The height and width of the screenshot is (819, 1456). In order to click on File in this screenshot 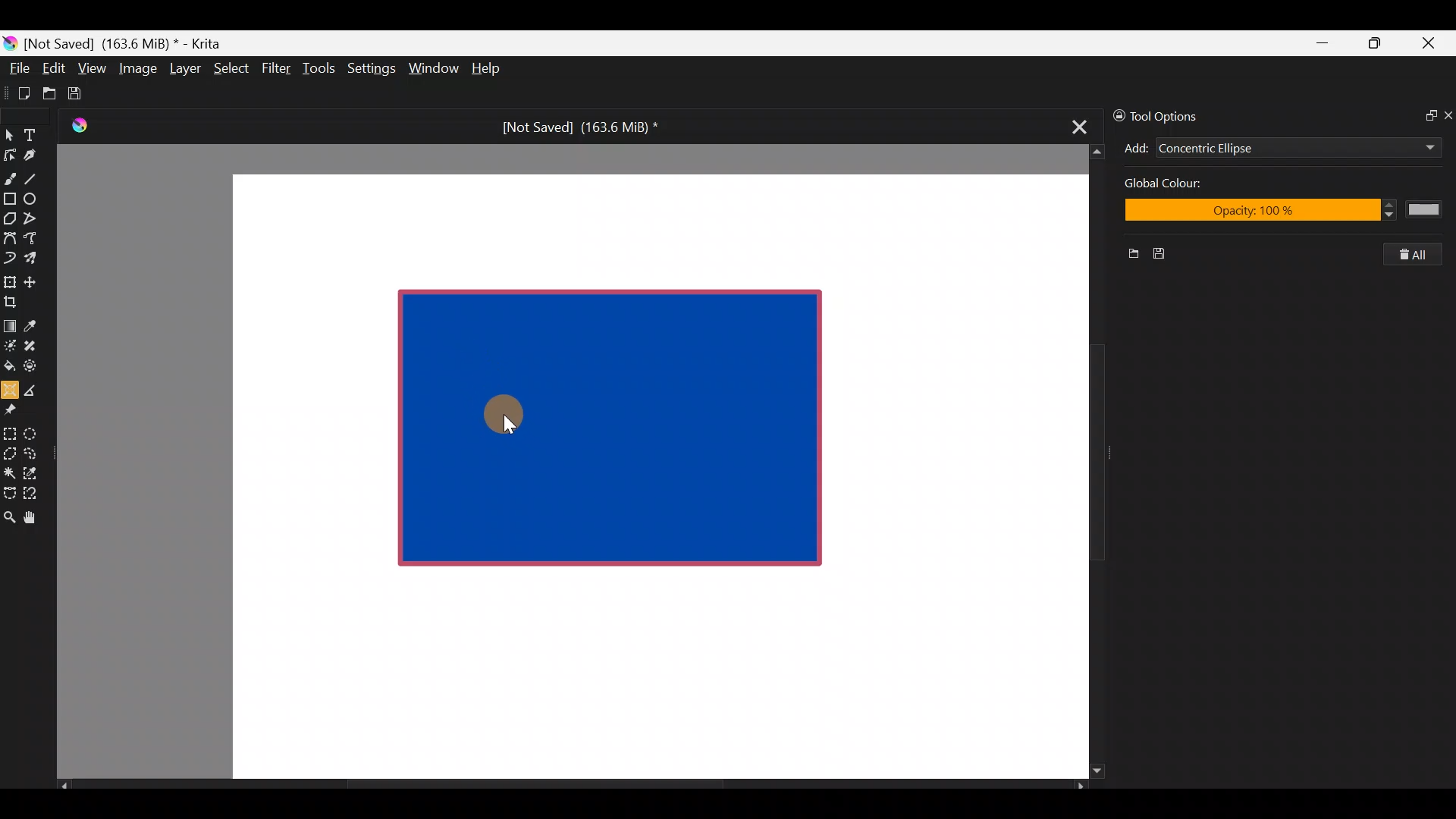, I will do `click(15, 71)`.